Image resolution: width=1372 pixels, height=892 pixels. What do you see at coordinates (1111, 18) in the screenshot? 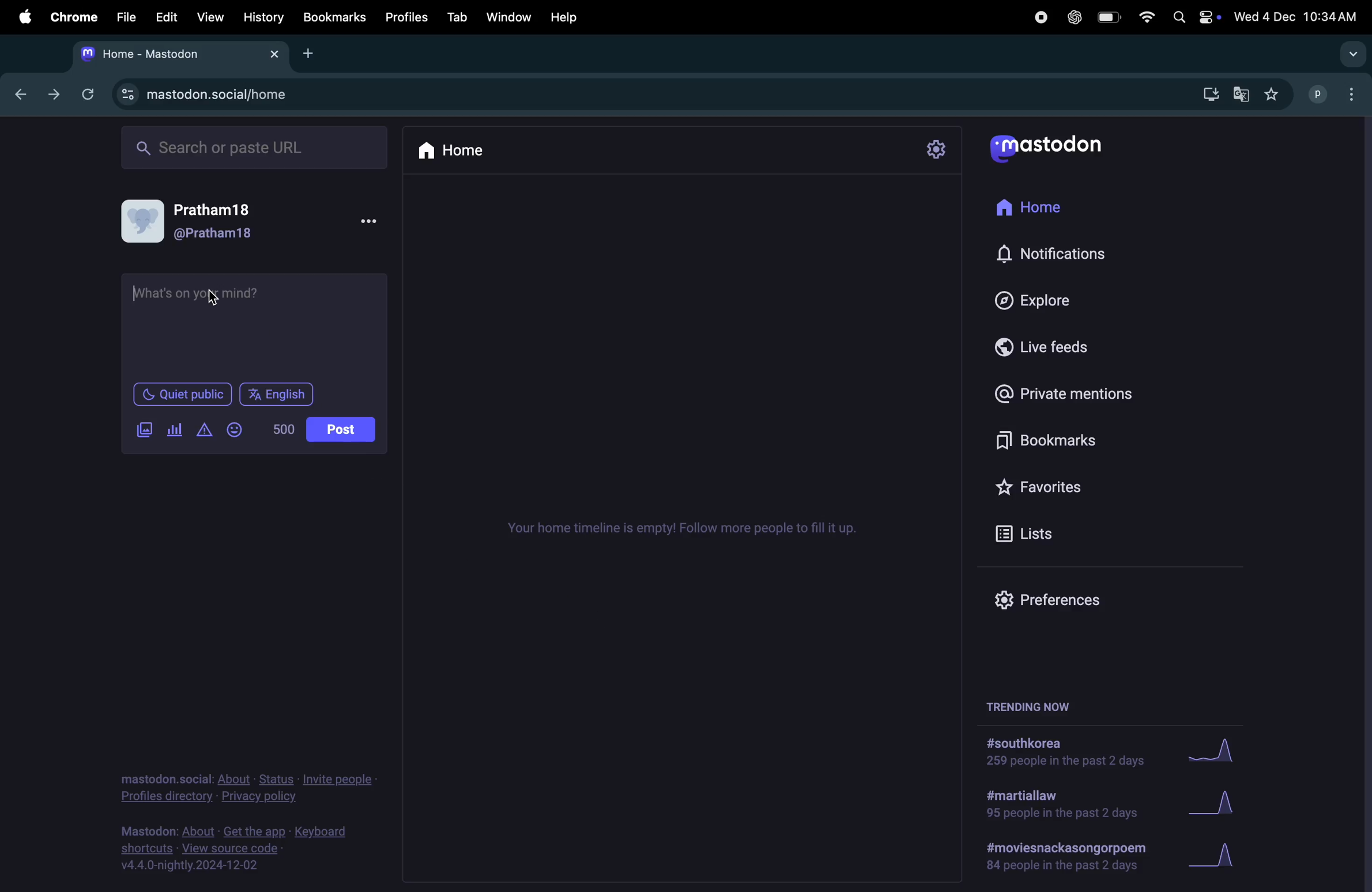
I see `battery` at bounding box center [1111, 18].